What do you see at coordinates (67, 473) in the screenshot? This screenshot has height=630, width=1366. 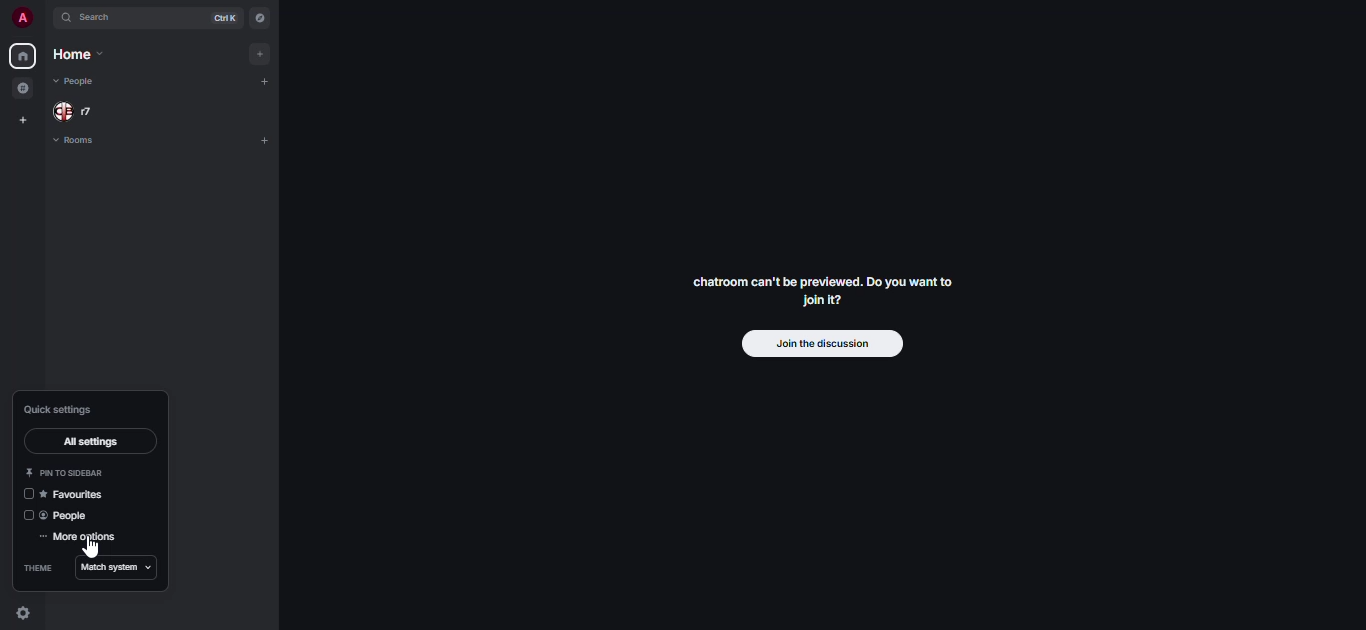 I see `pin to sidebar` at bounding box center [67, 473].